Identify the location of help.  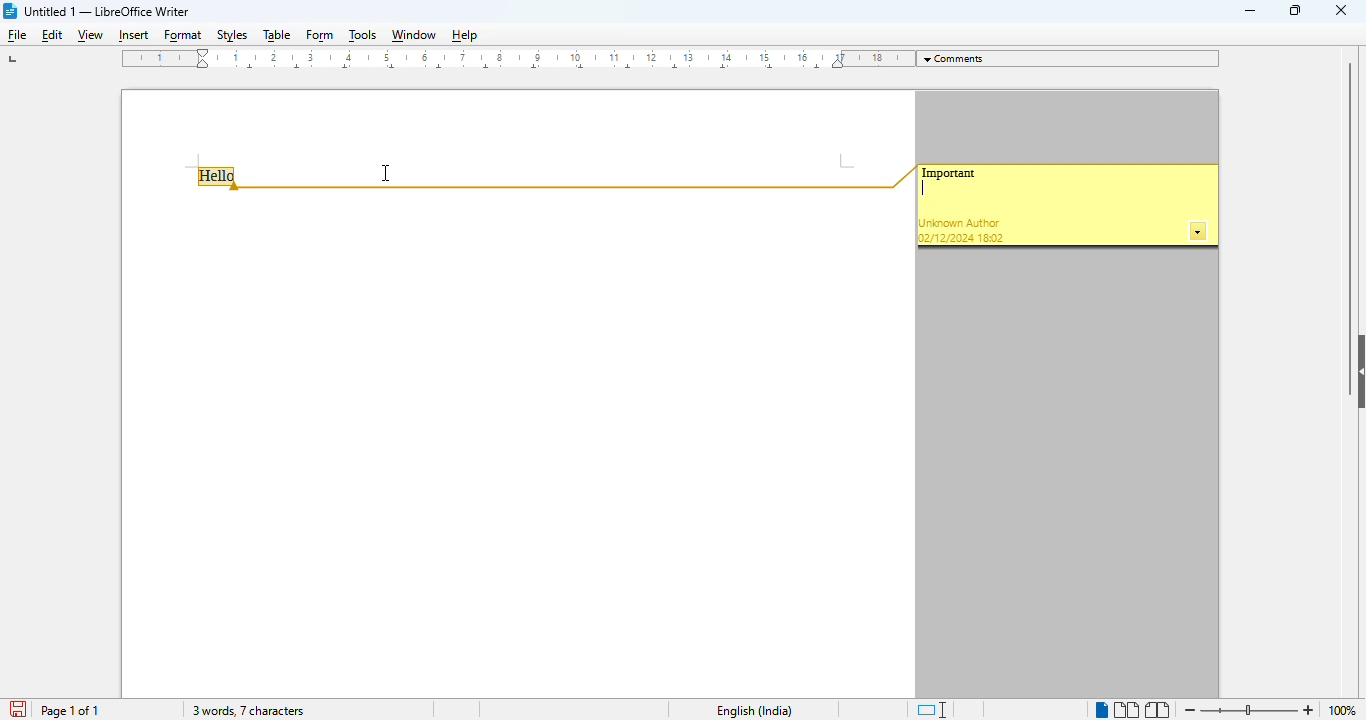
(464, 35).